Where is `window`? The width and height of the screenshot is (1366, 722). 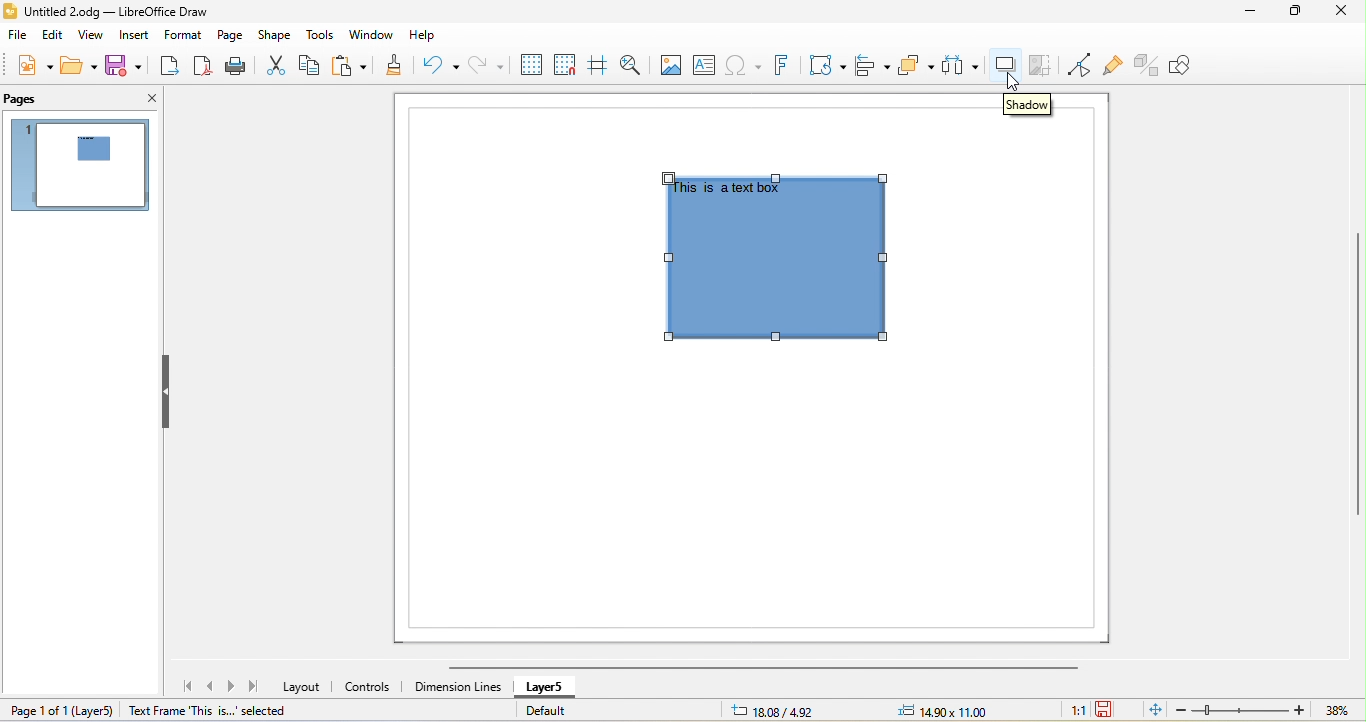
window is located at coordinates (376, 36).